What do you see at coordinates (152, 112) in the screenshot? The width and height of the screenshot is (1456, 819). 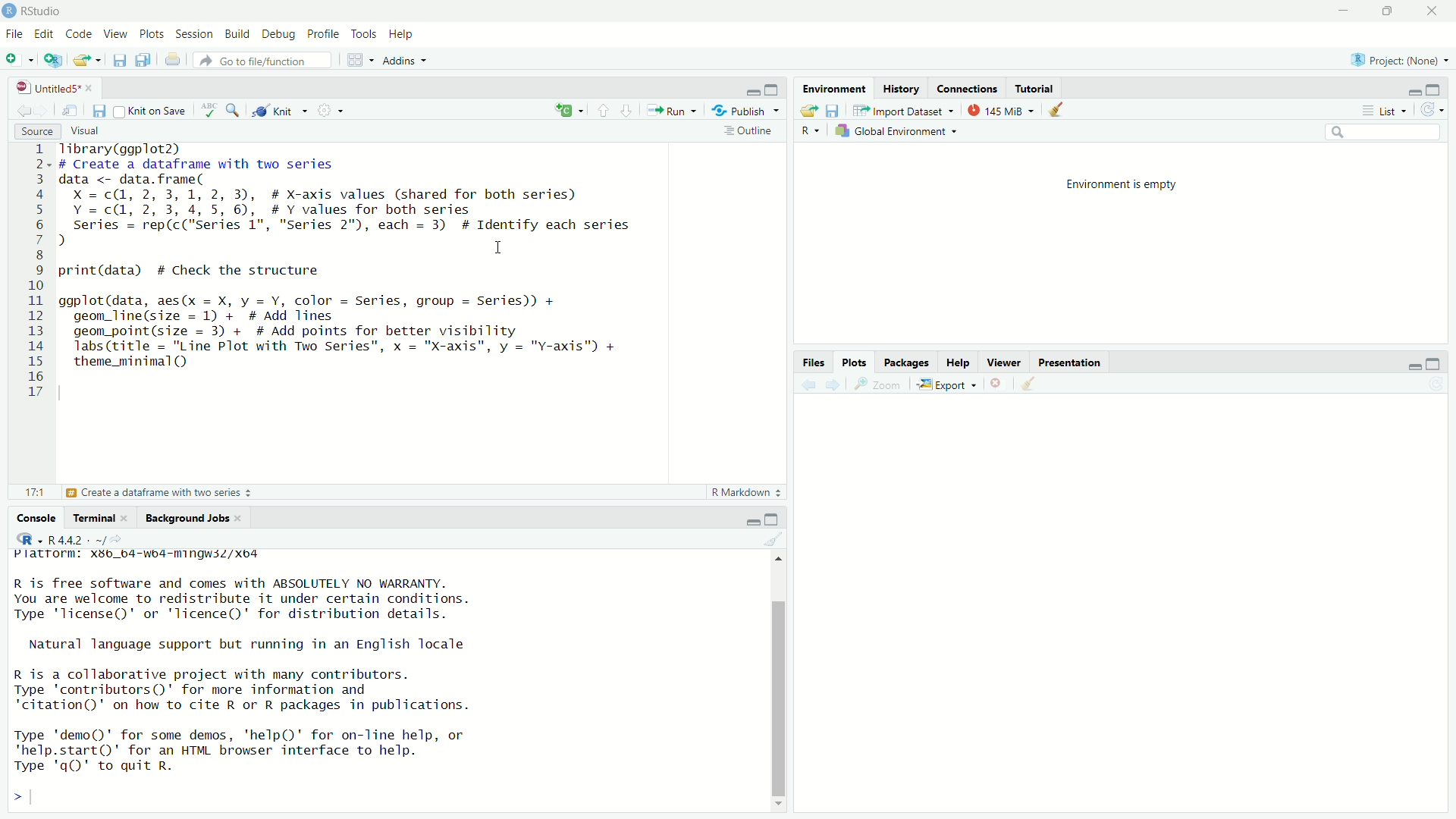 I see `Knit on save` at bounding box center [152, 112].